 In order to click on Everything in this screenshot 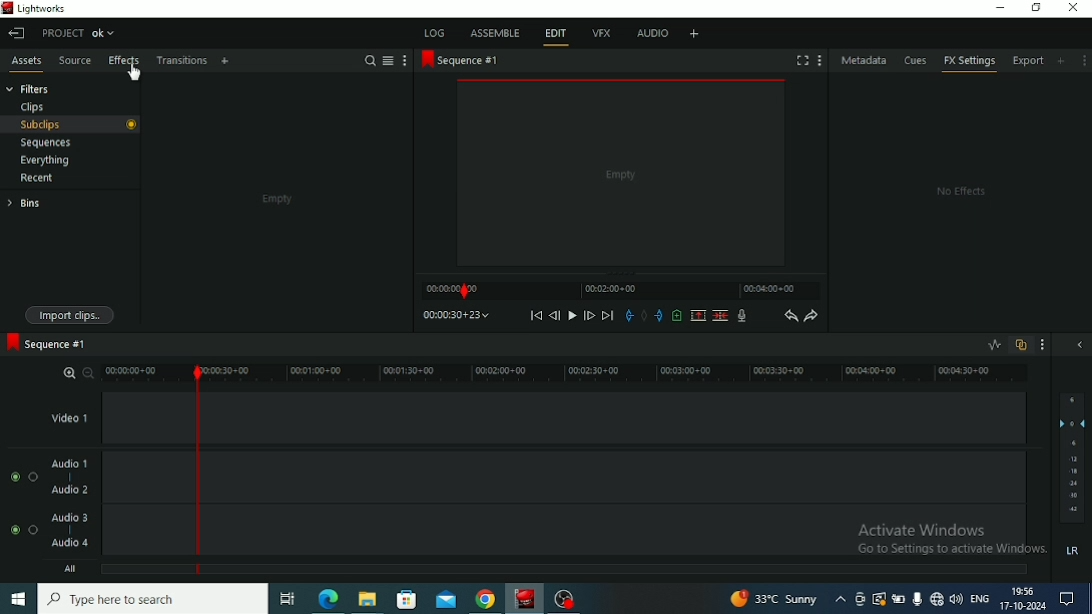, I will do `click(45, 160)`.